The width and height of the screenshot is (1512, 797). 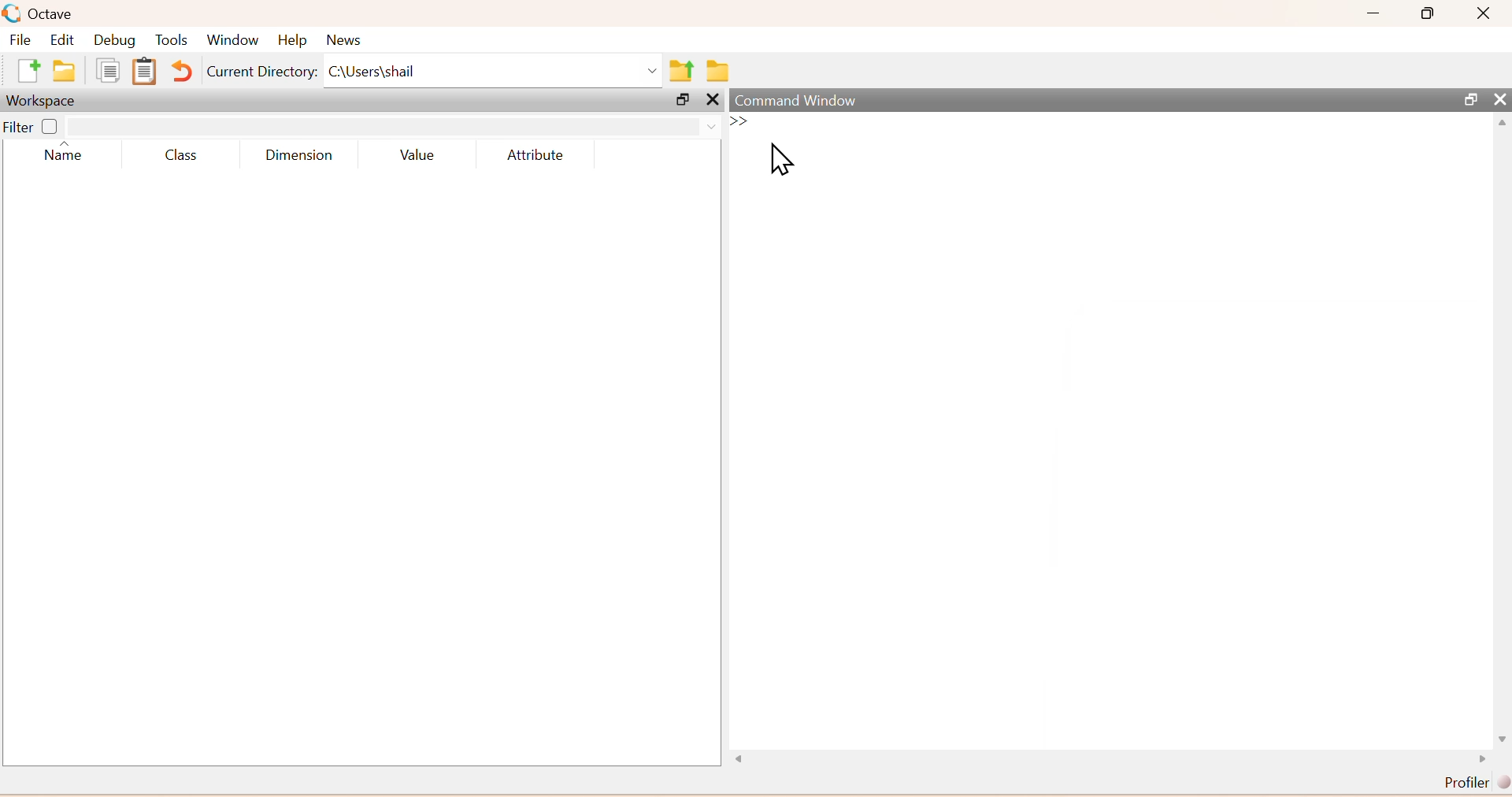 What do you see at coordinates (684, 72) in the screenshot?
I see `one directory up` at bounding box center [684, 72].